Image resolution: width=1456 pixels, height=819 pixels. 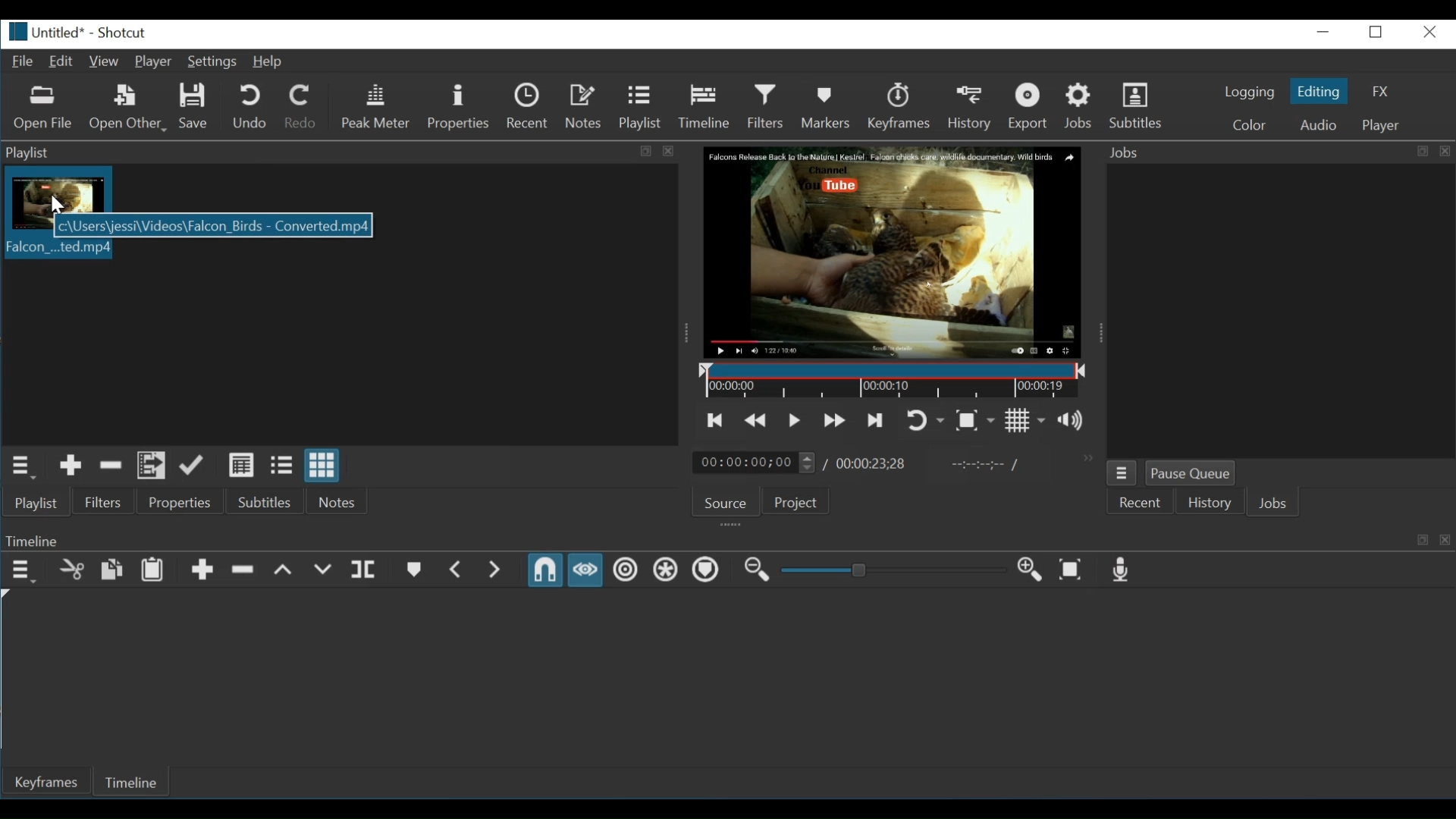 What do you see at coordinates (271, 500) in the screenshot?
I see `Subtitles` at bounding box center [271, 500].